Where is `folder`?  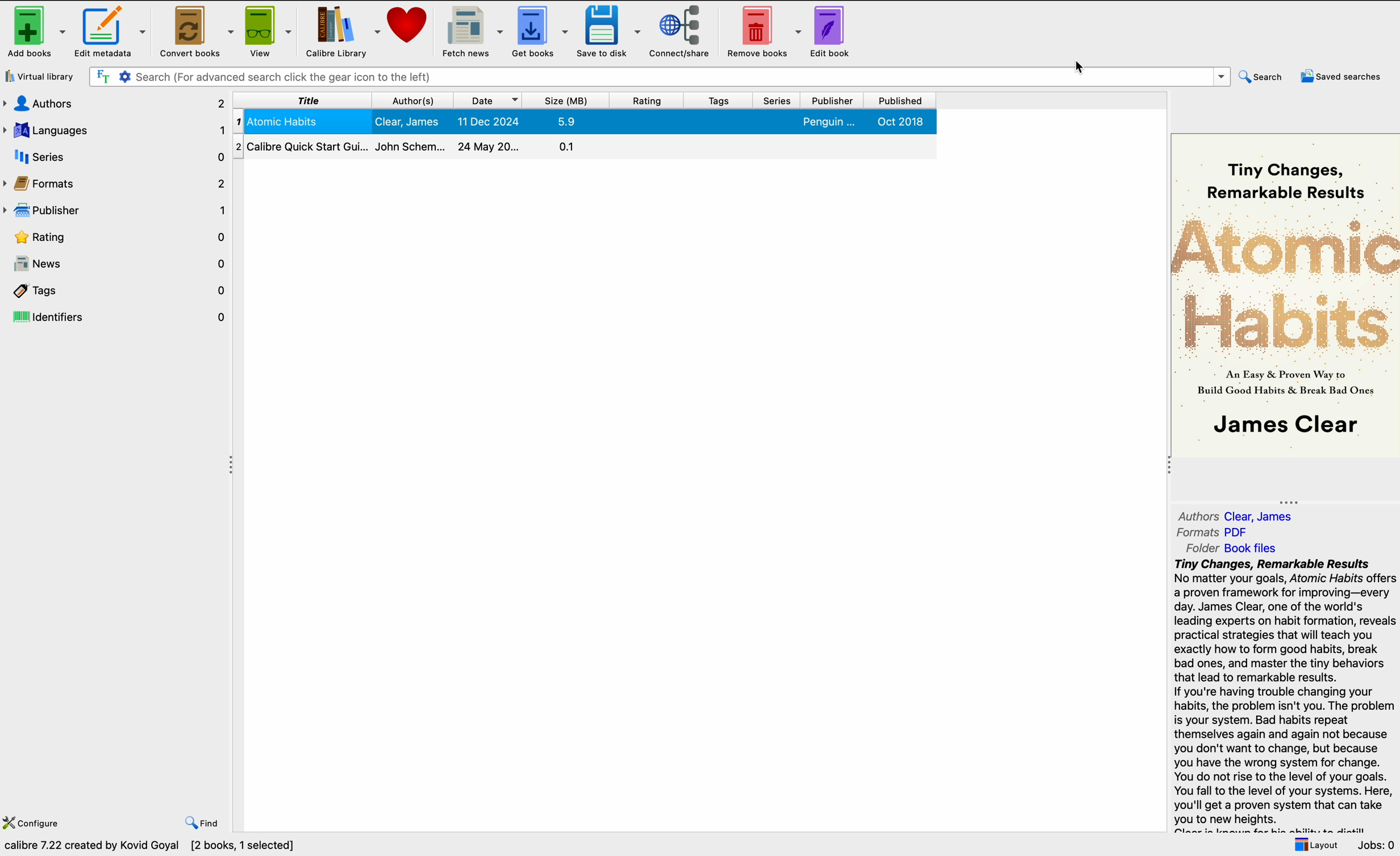
folder is located at coordinates (1235, 548).